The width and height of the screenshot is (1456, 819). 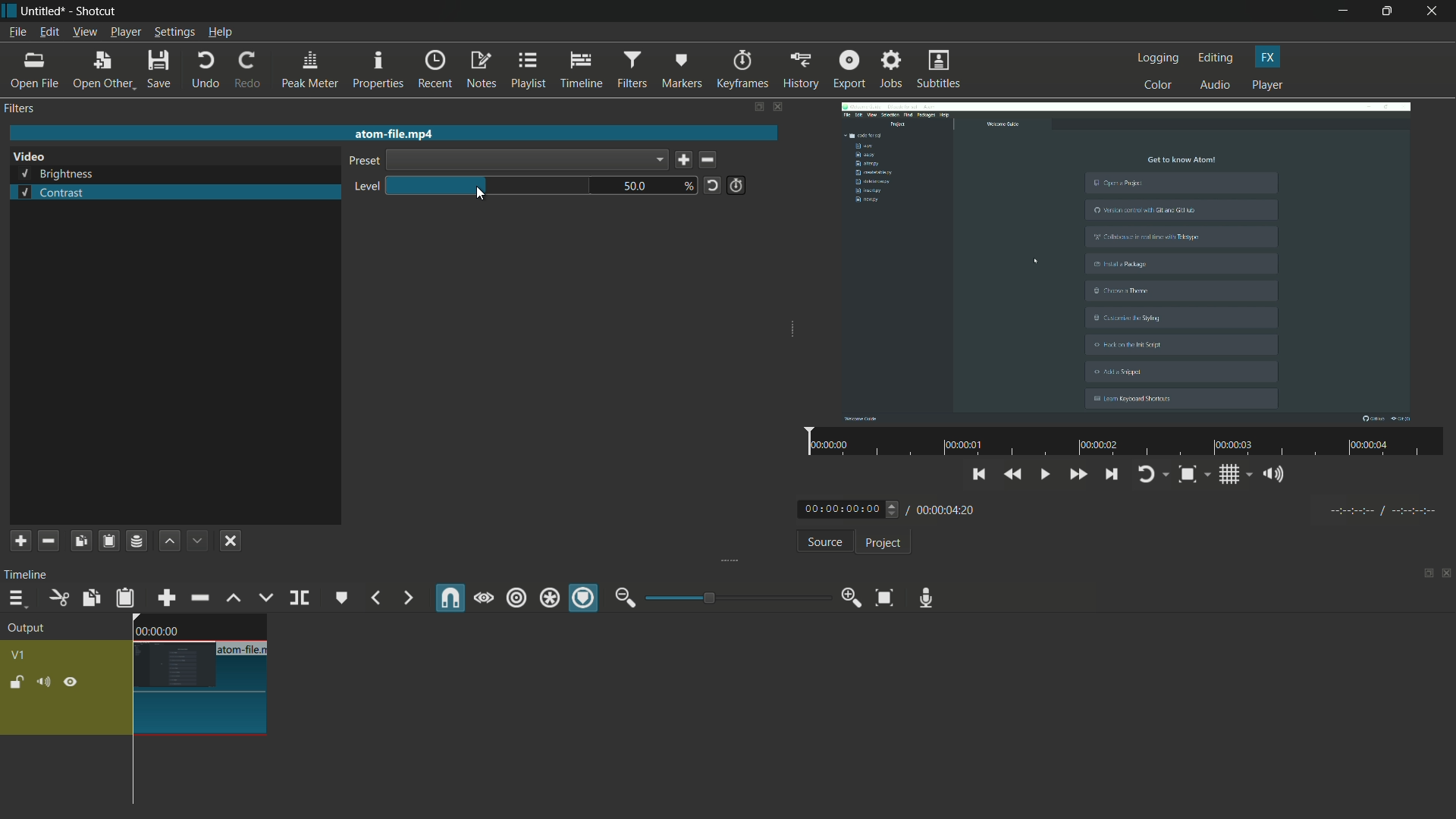 I want to click on Shotcut, so click(x=97, y=12).